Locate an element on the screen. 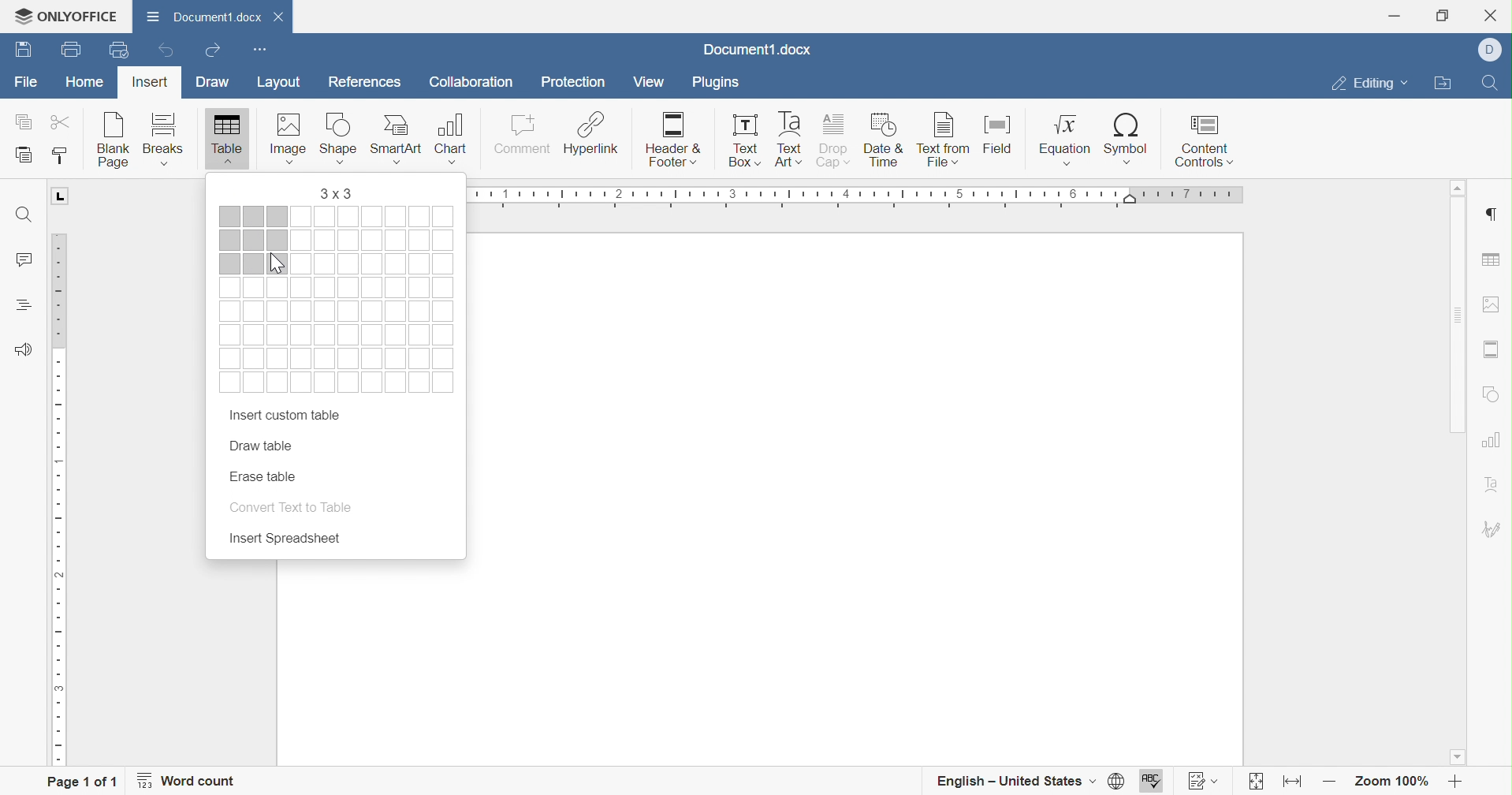  Home is located at coordinates (84, 80).